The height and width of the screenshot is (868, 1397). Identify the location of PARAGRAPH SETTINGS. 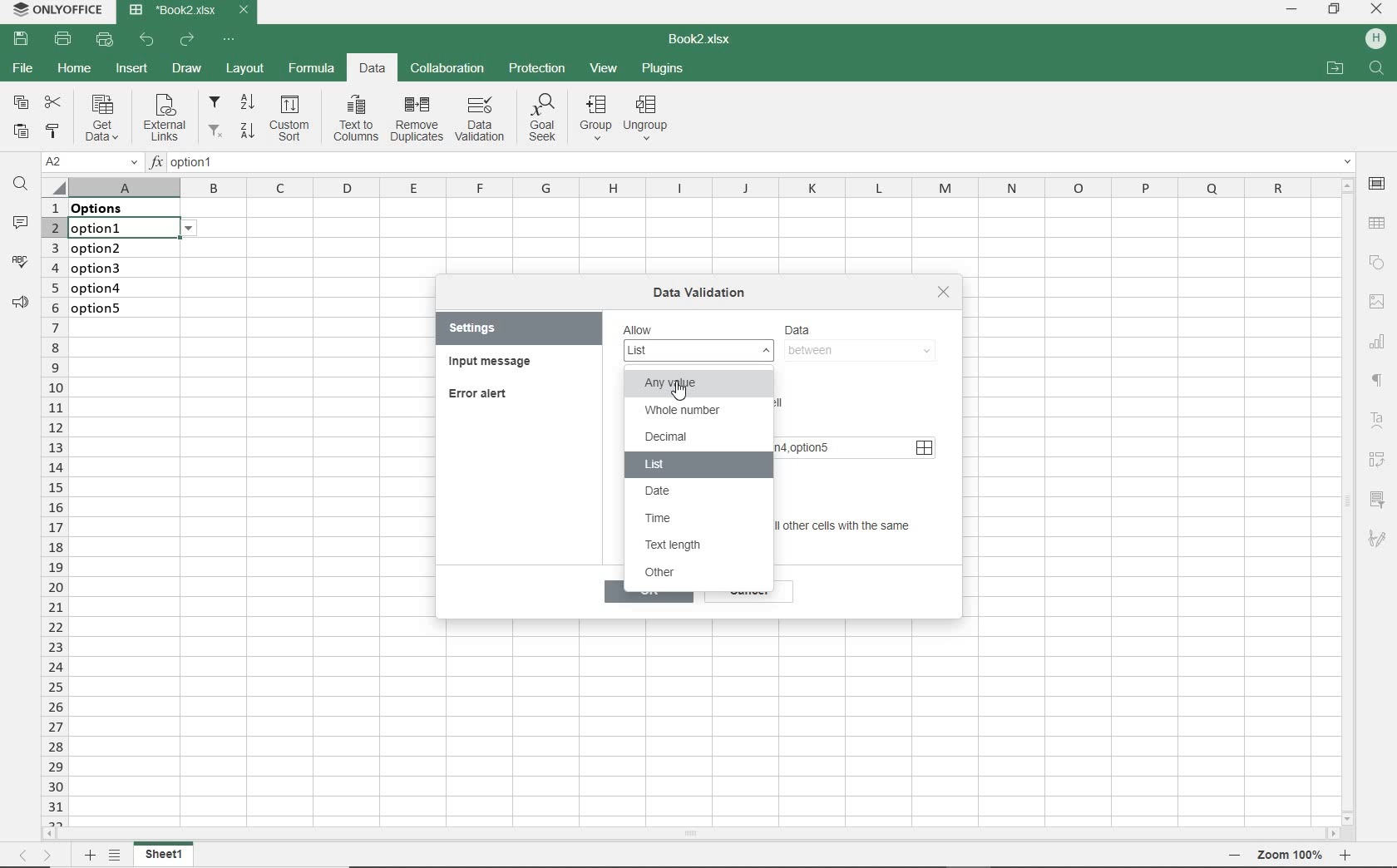
(17, 303).